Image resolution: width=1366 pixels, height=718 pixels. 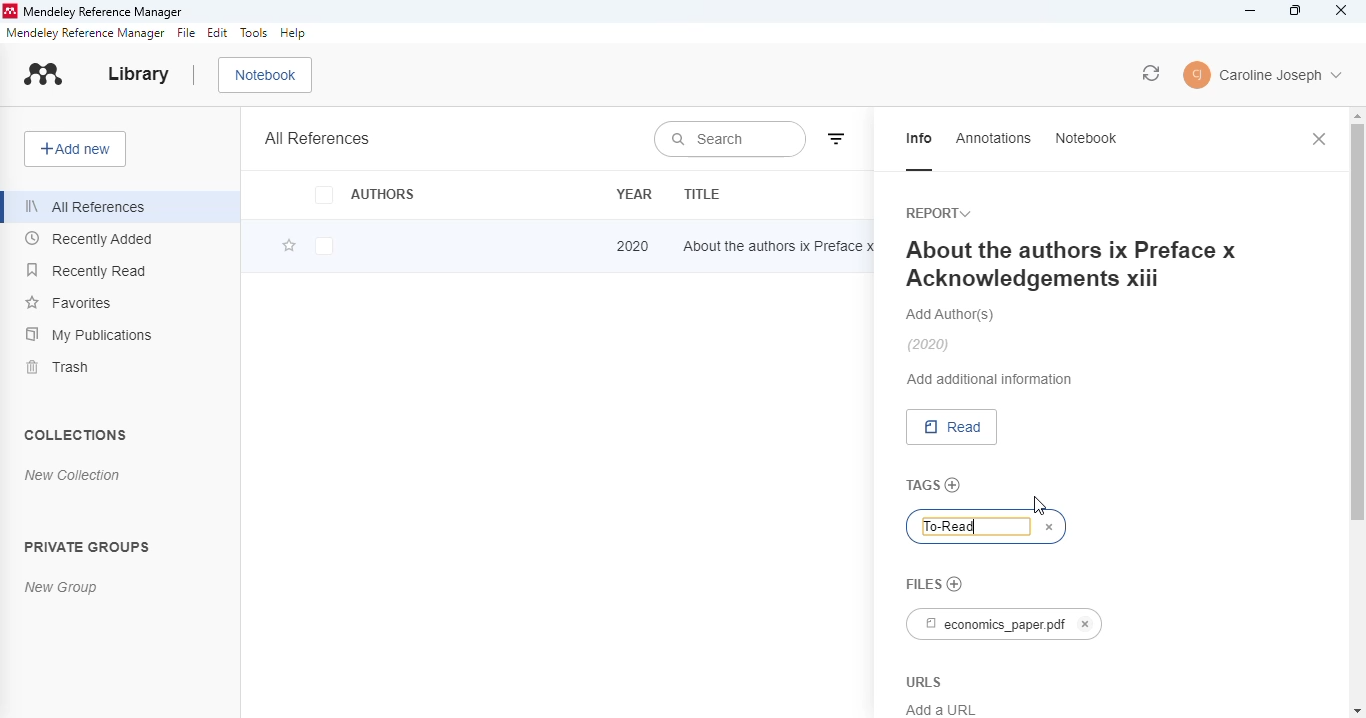 I want to click on (2020), so click(x=929, y=345).